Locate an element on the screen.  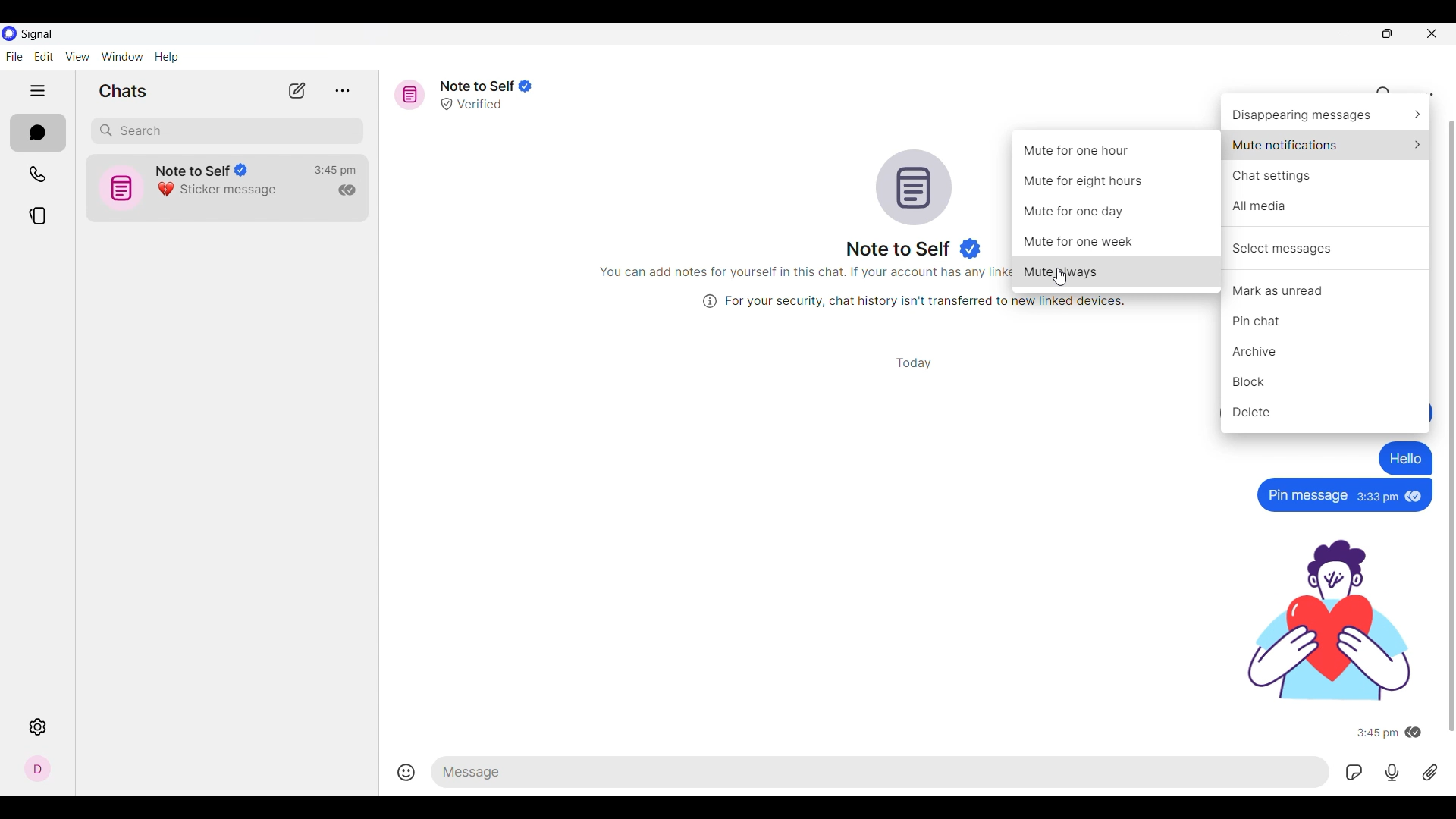
sticker is located at coordinates (1331, 622).